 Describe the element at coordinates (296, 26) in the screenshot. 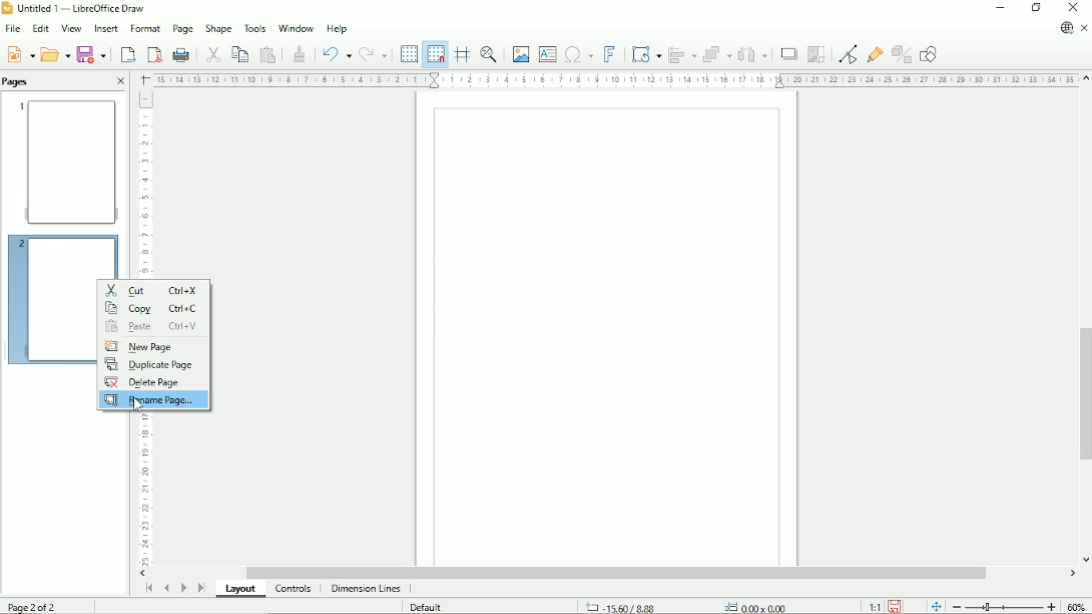

I see `Window` at that location.